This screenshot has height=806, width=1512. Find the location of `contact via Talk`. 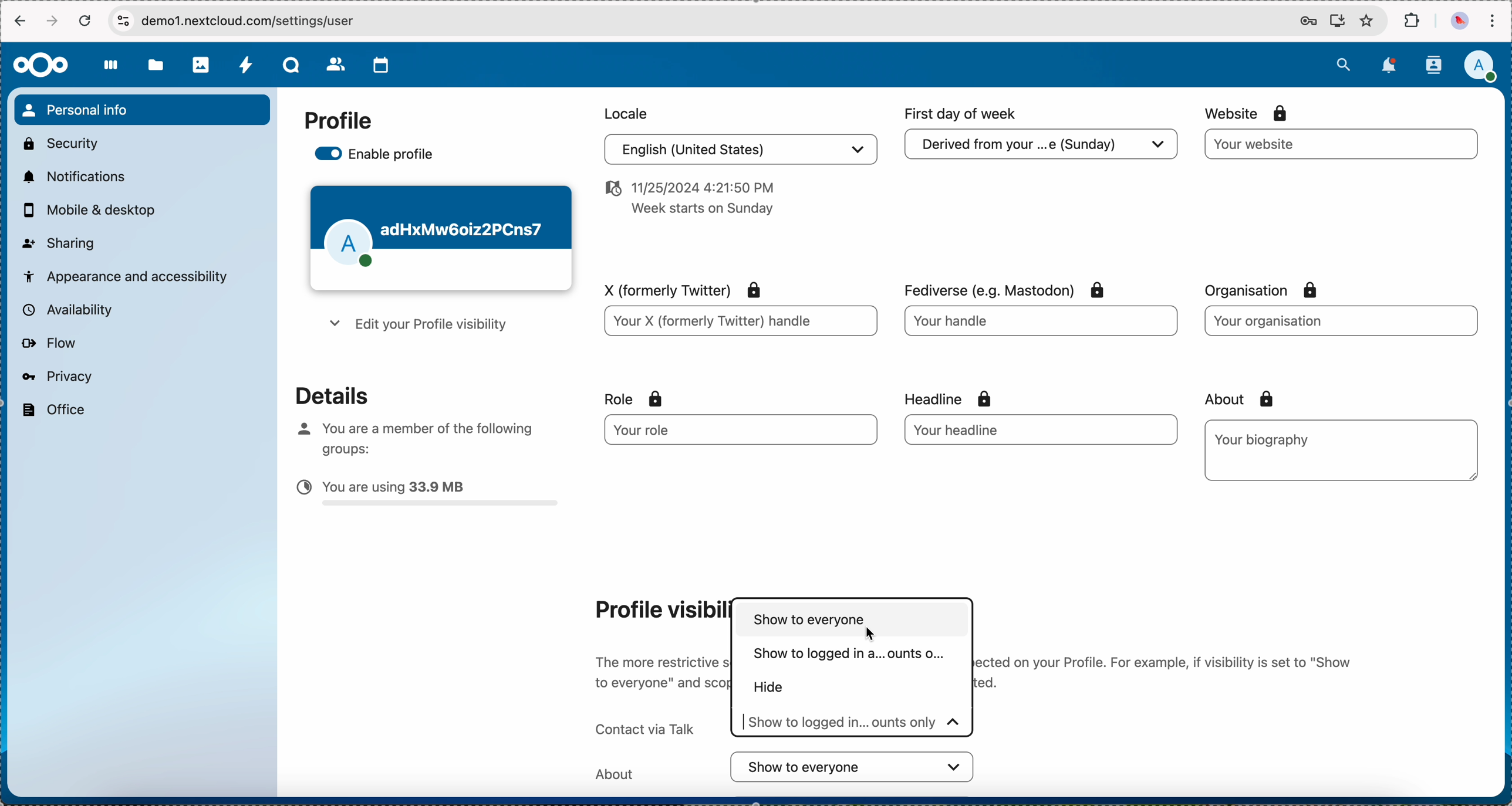

contact via Talk is located at coordinates (642, 723).